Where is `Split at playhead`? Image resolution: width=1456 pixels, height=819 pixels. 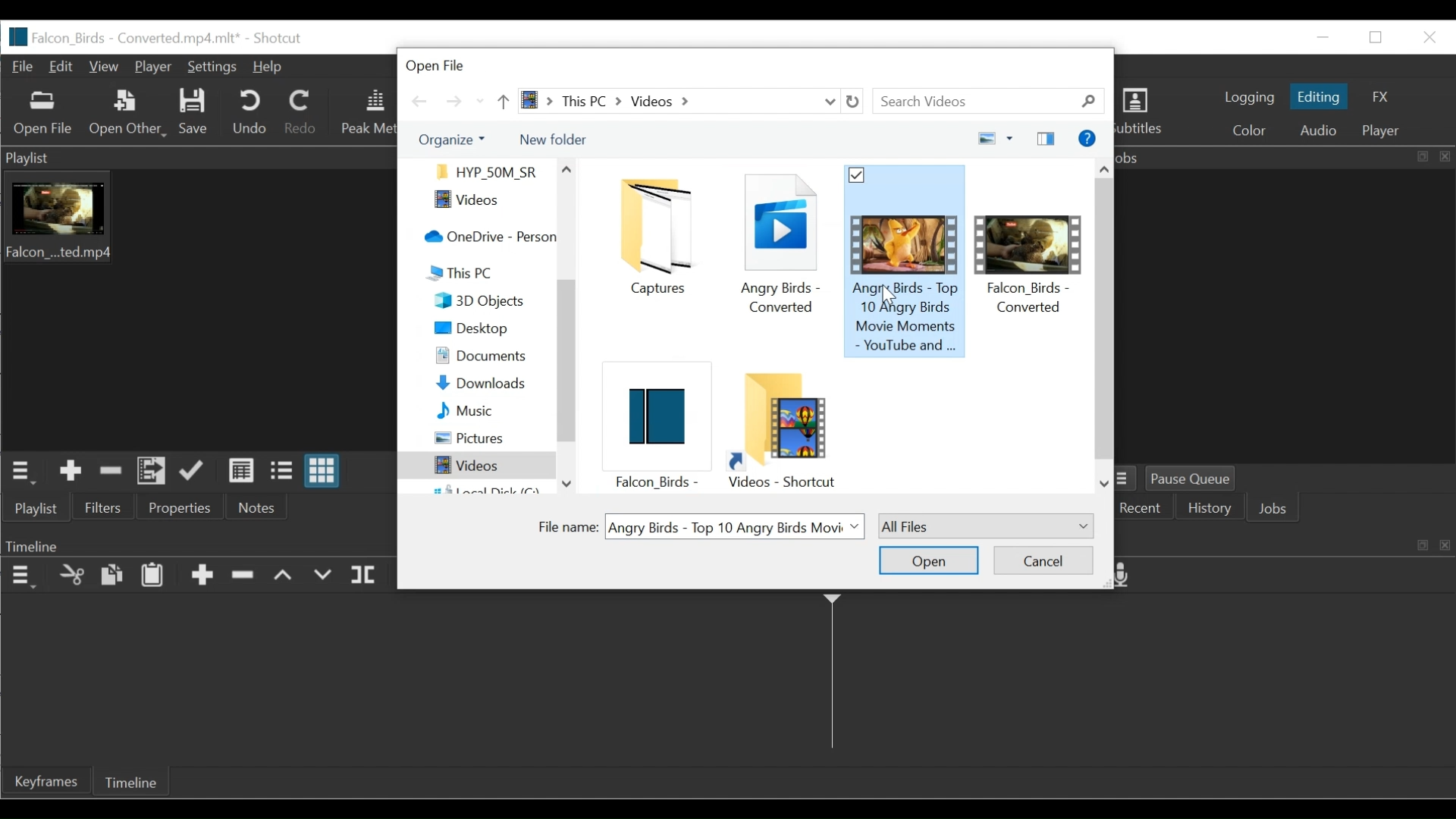 Split at playhead is located at coordinates (366, 576).